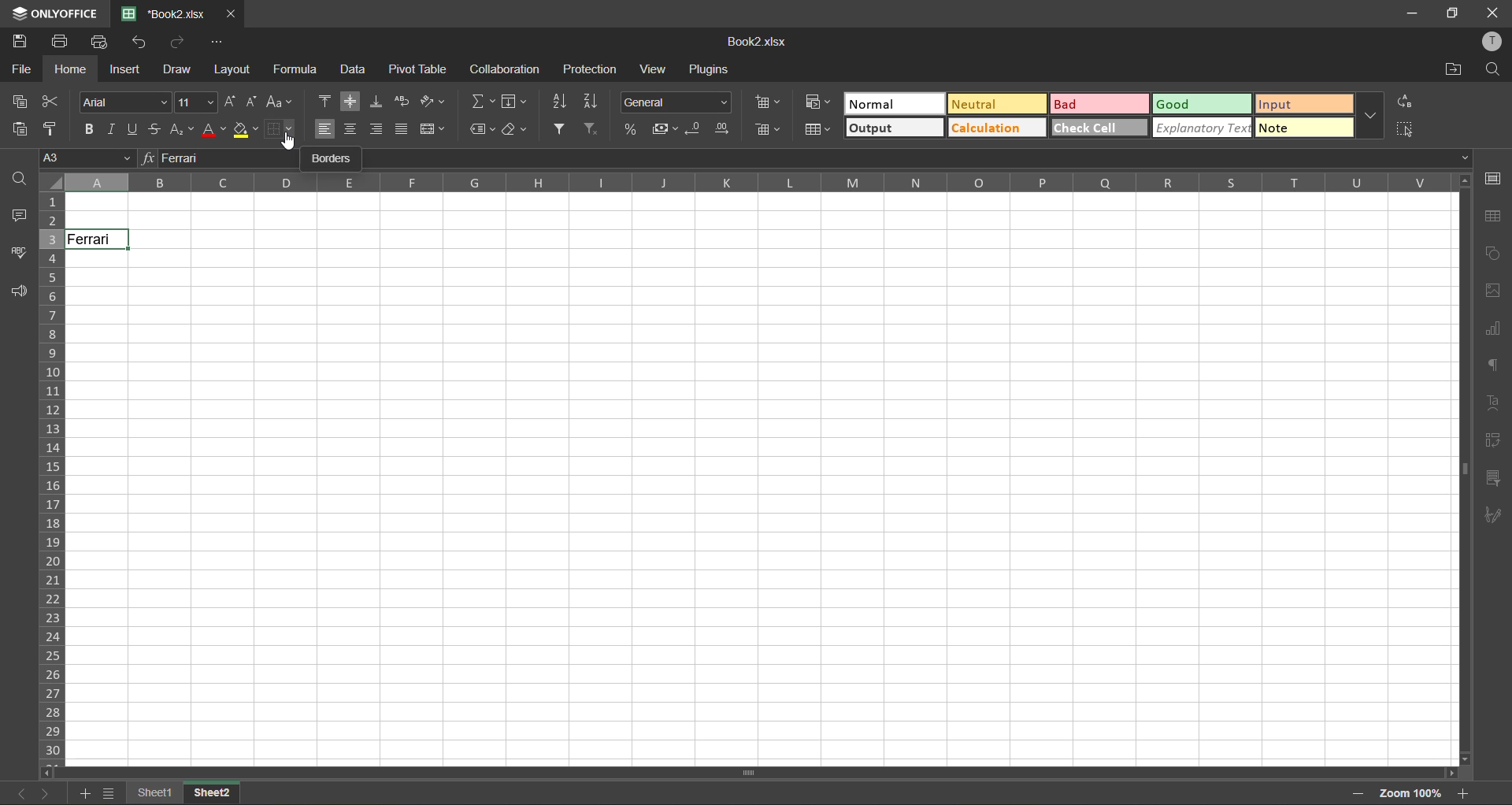  Describe the element at coordinates (673, 102) in the screenshot. I see `number format` at that location.